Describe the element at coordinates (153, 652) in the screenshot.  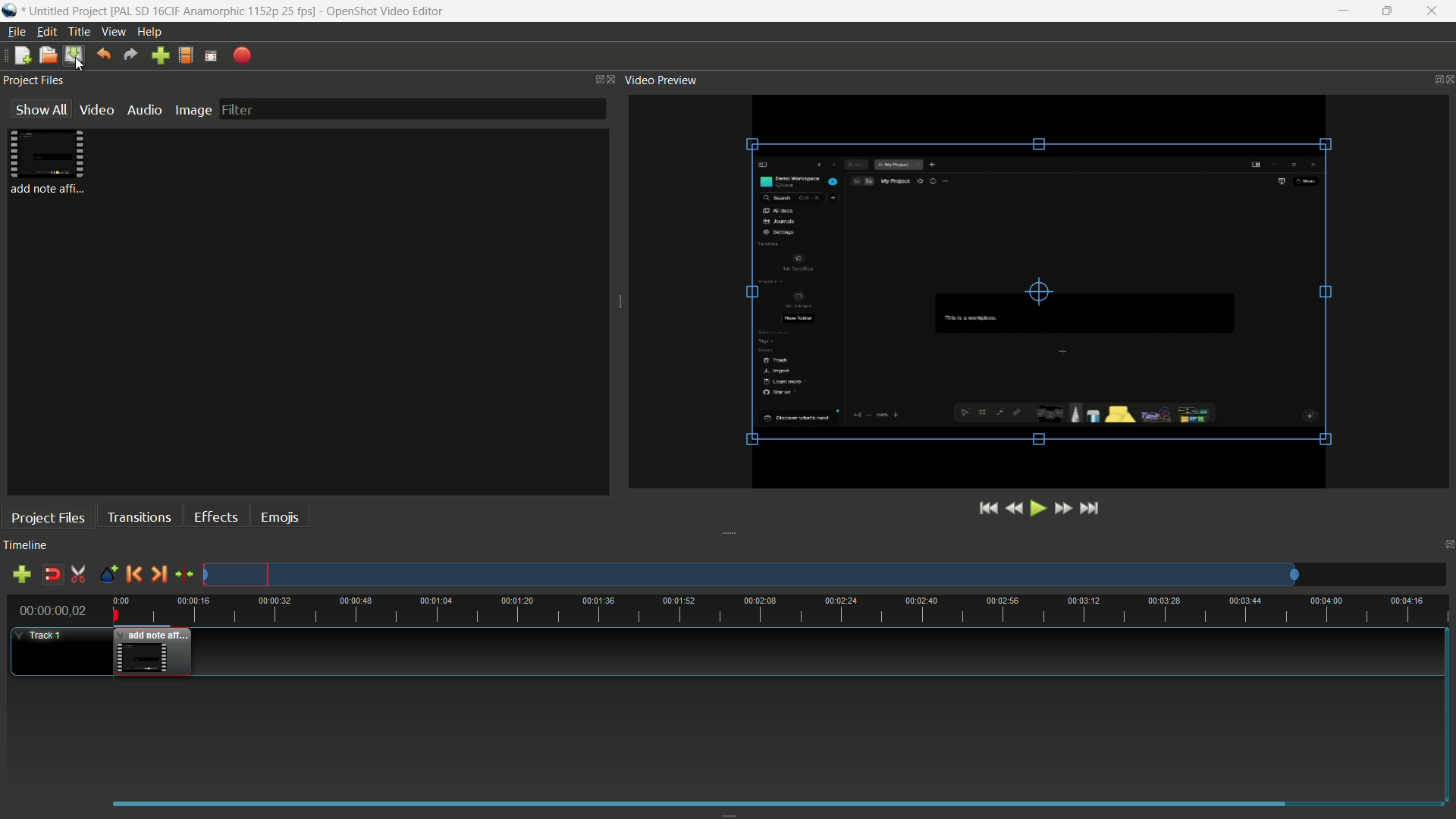
I see `video in timeline` at that location.